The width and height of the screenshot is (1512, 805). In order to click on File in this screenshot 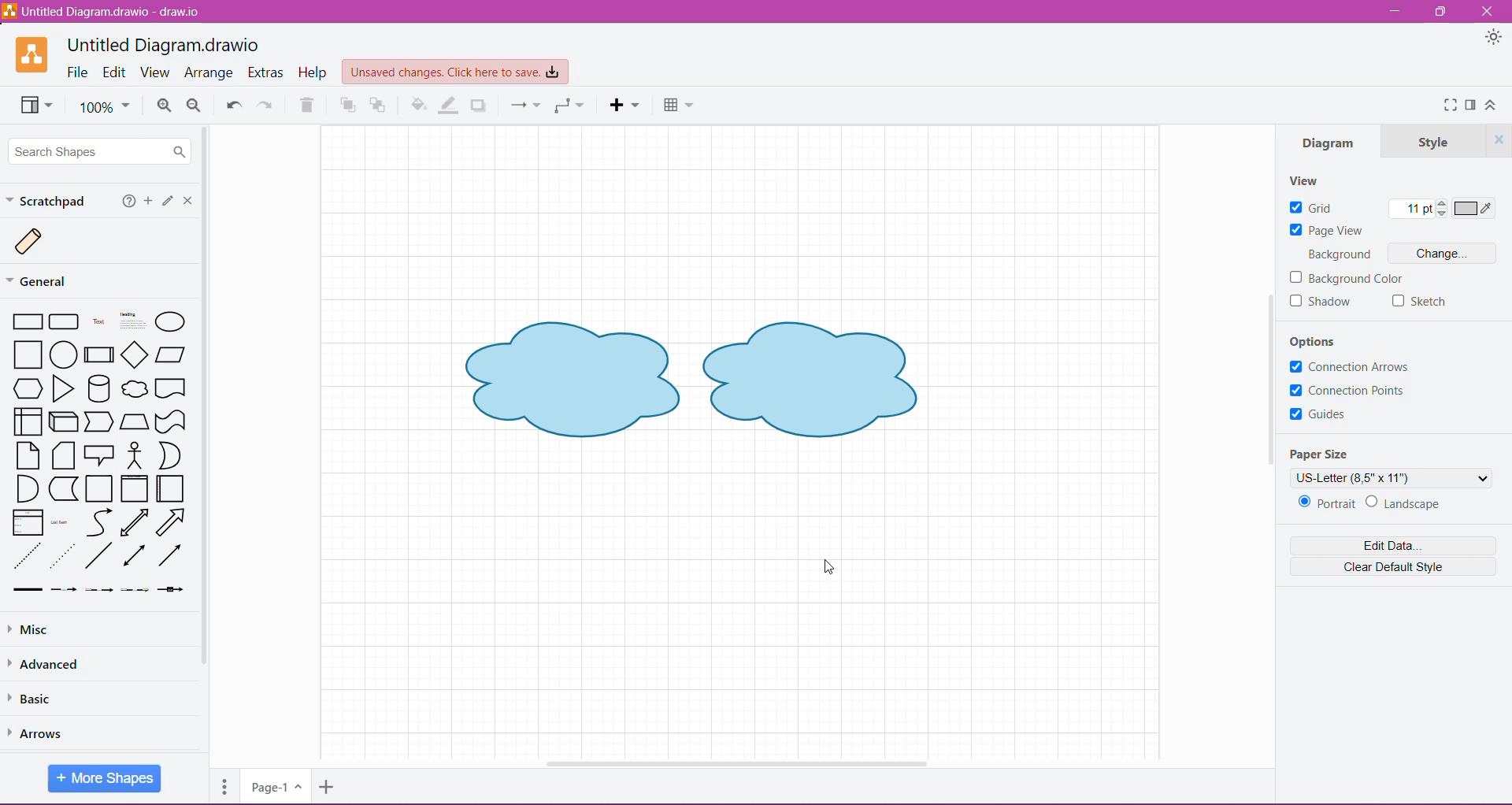, I will do `click(76, 72)`.